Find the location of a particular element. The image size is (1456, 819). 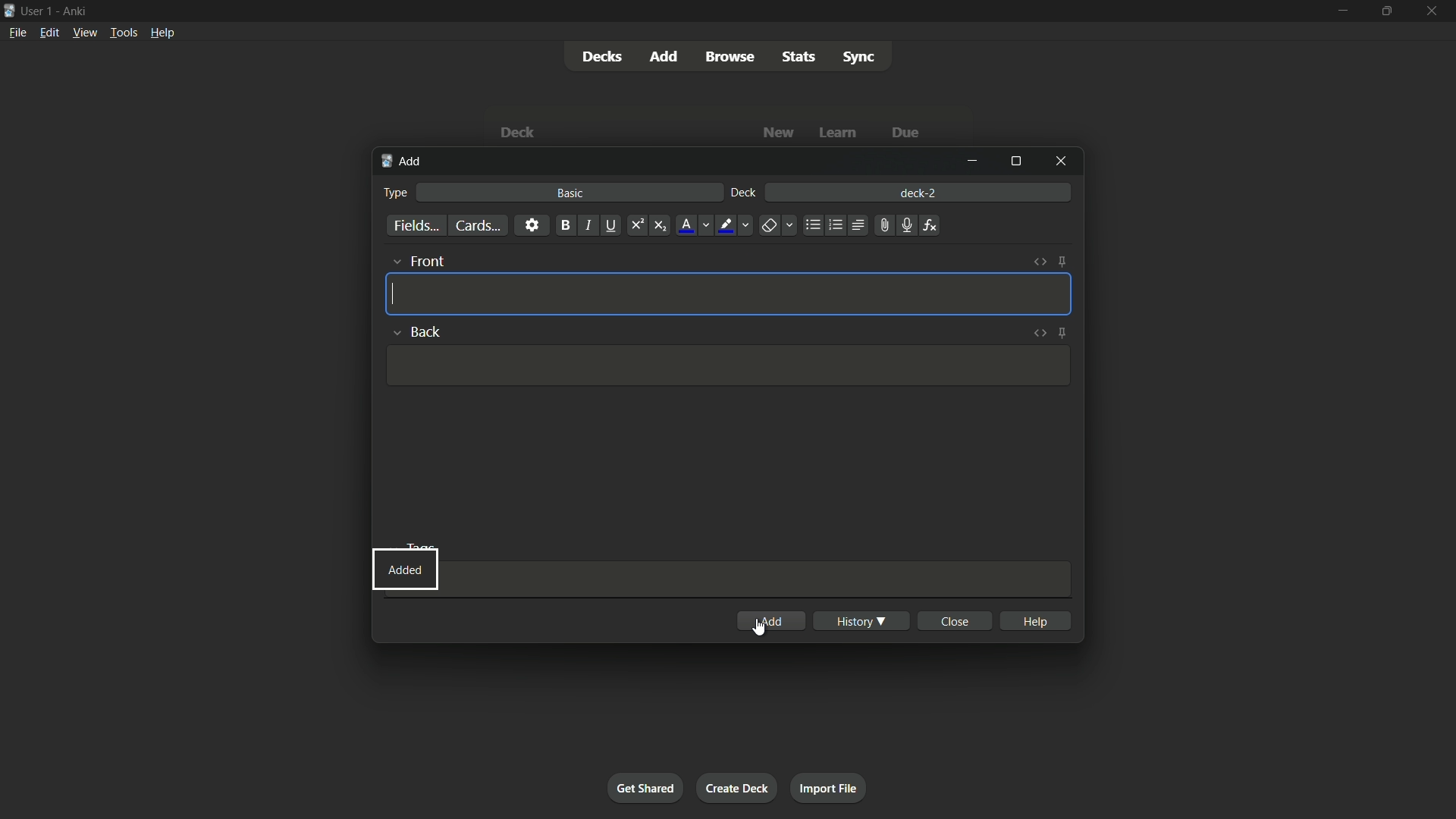

maximize is located at coordinates (1017, 160).